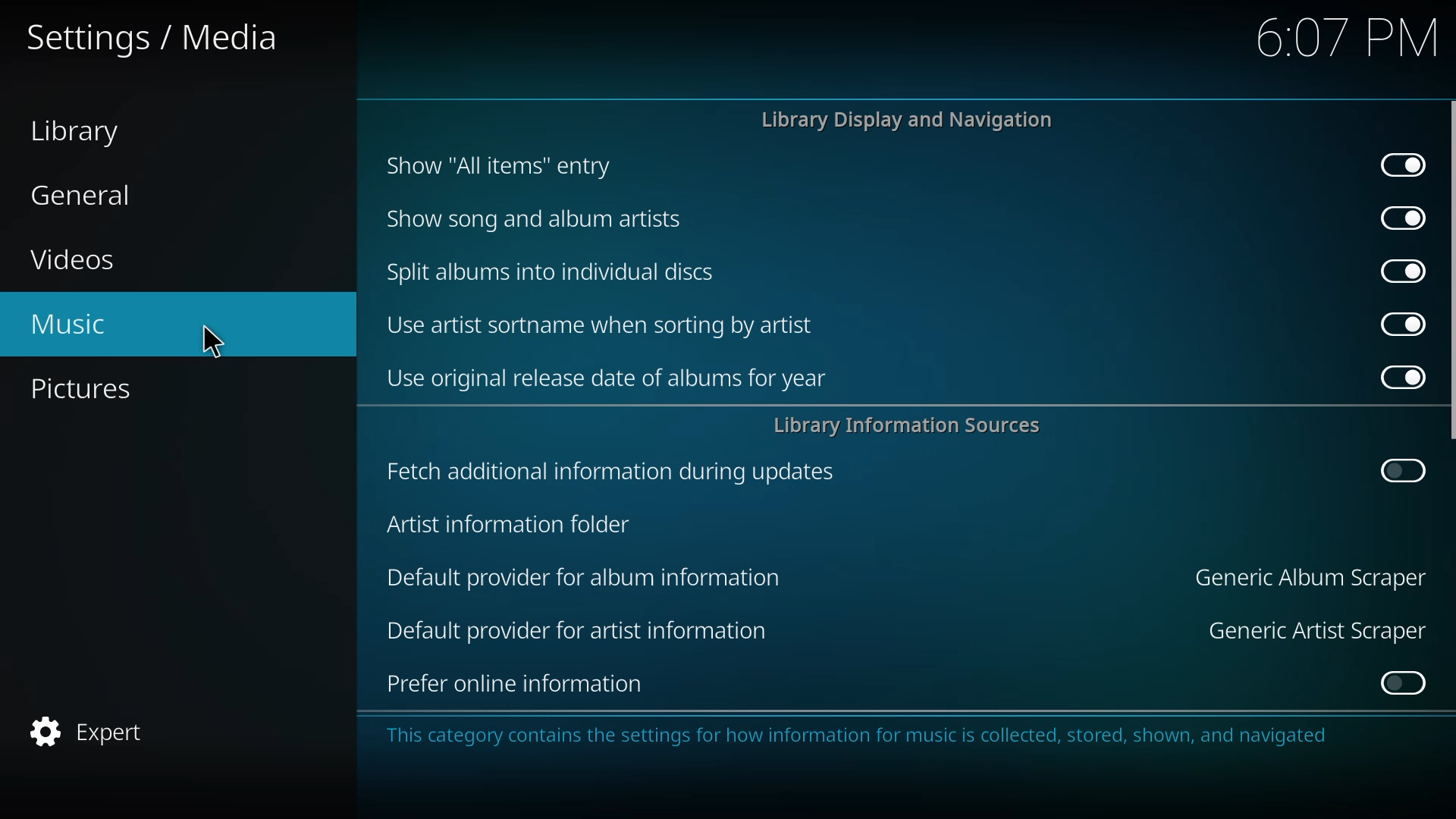  Describe the element at coordinates (1398, 324) in the screenshot. I see `enabled` at that location.